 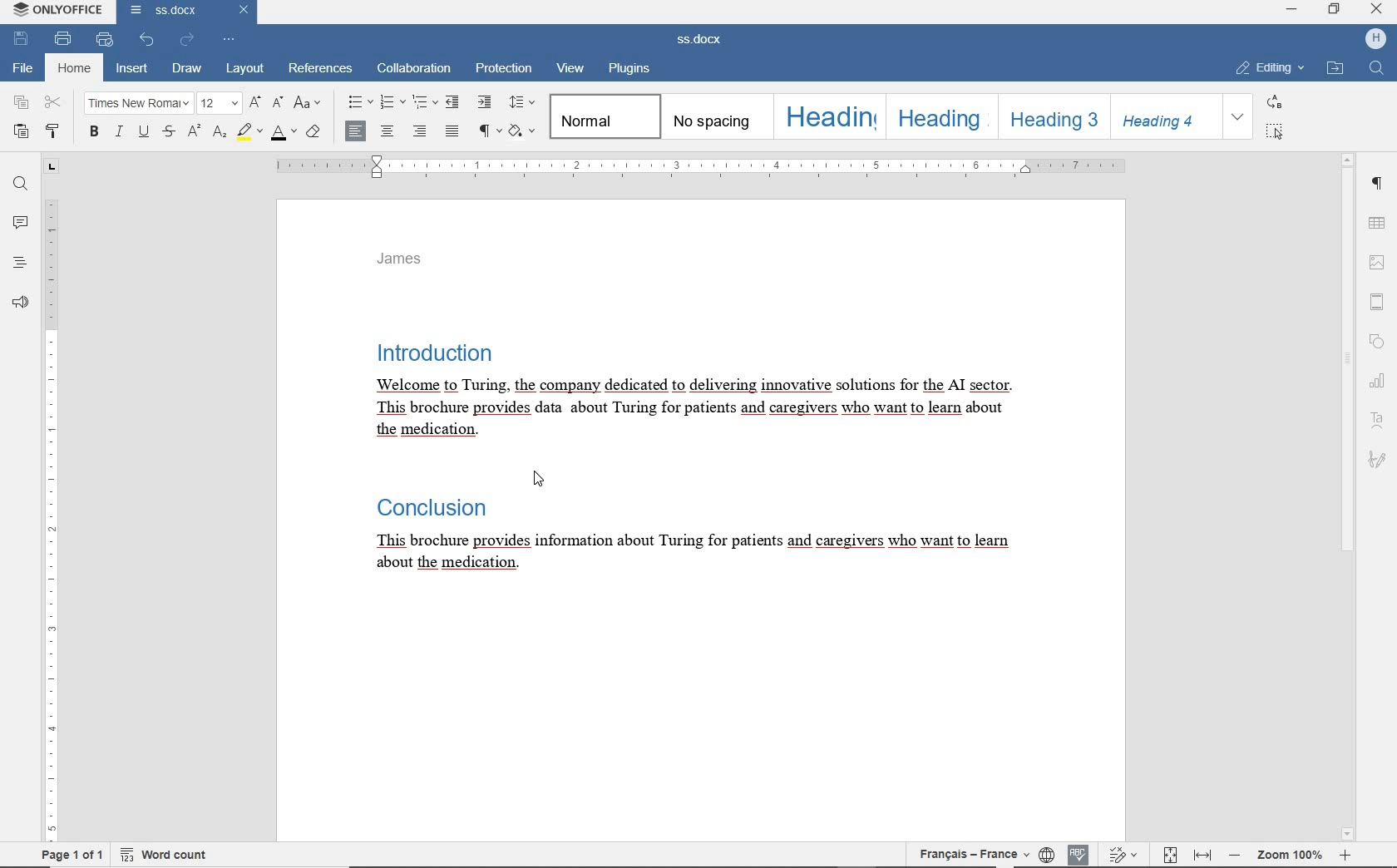 What do you see at coordinates (1379, 460) in the screenshot?
I see `SIGNATURE` at bounding box center [1379, 460].